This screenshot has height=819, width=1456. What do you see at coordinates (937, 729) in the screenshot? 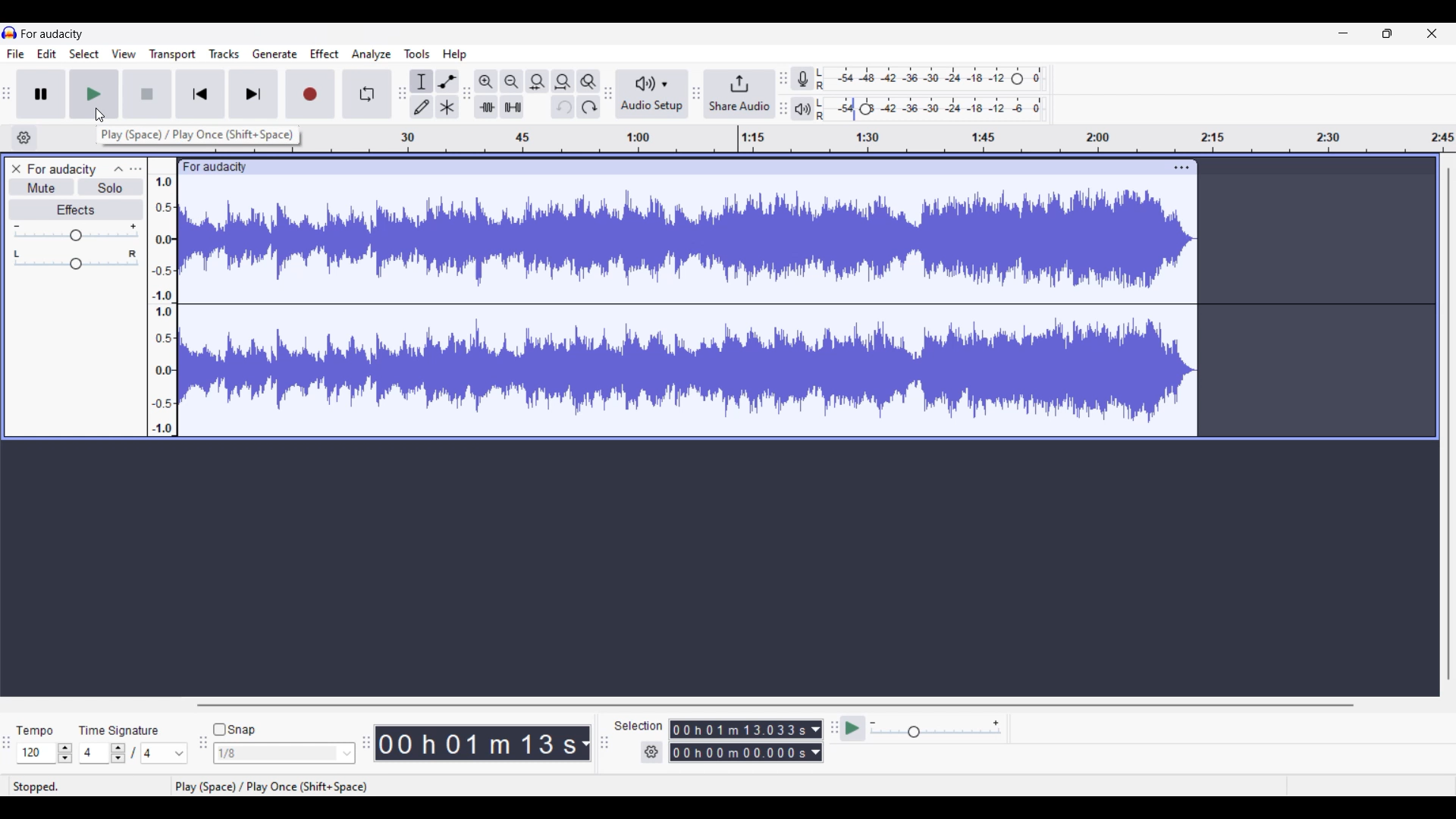
I see `Playback speed settings` at bounding box center [937, 729].